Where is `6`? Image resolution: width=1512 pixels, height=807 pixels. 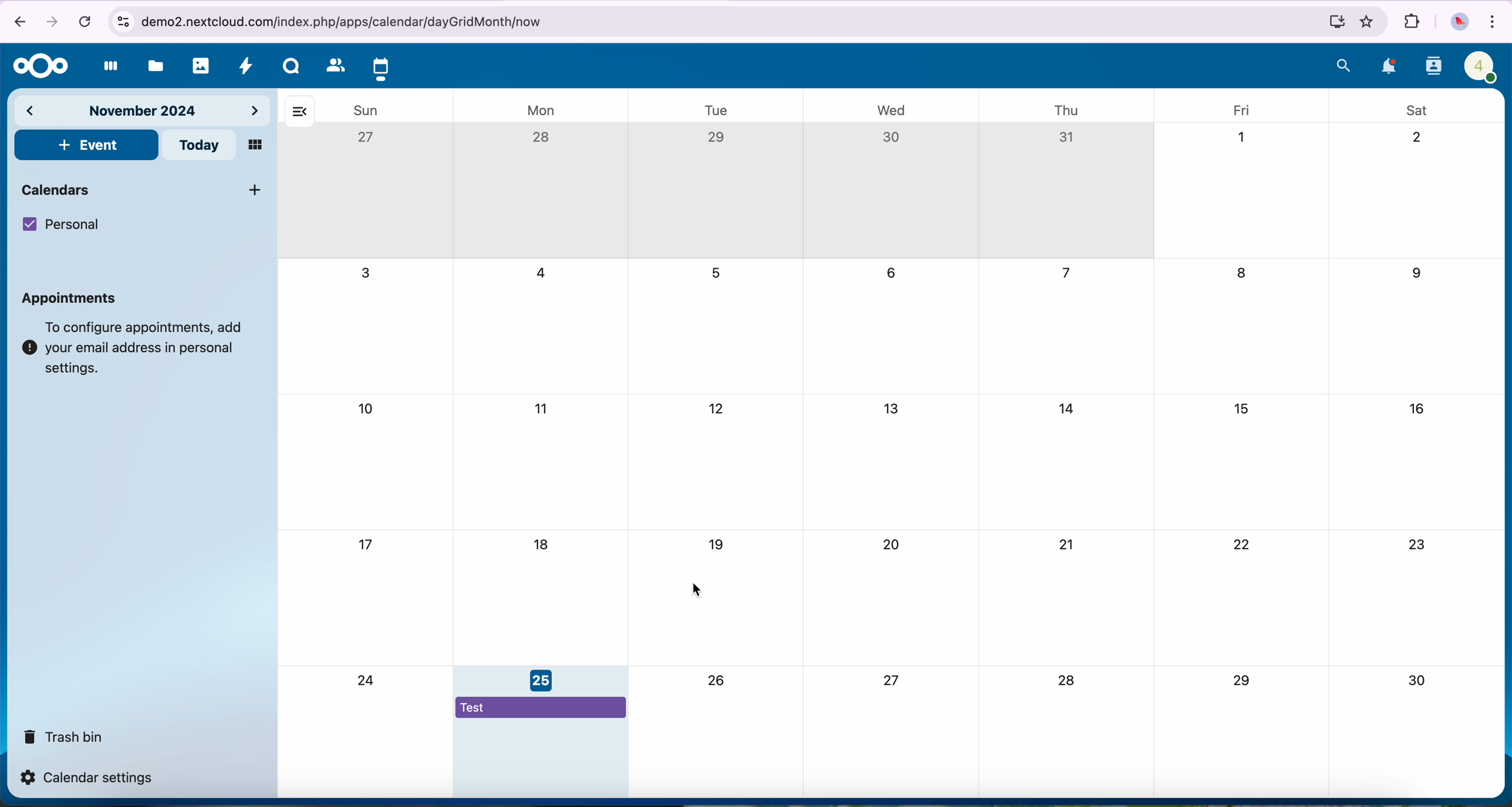
6 is located at coordinates (890, 273).